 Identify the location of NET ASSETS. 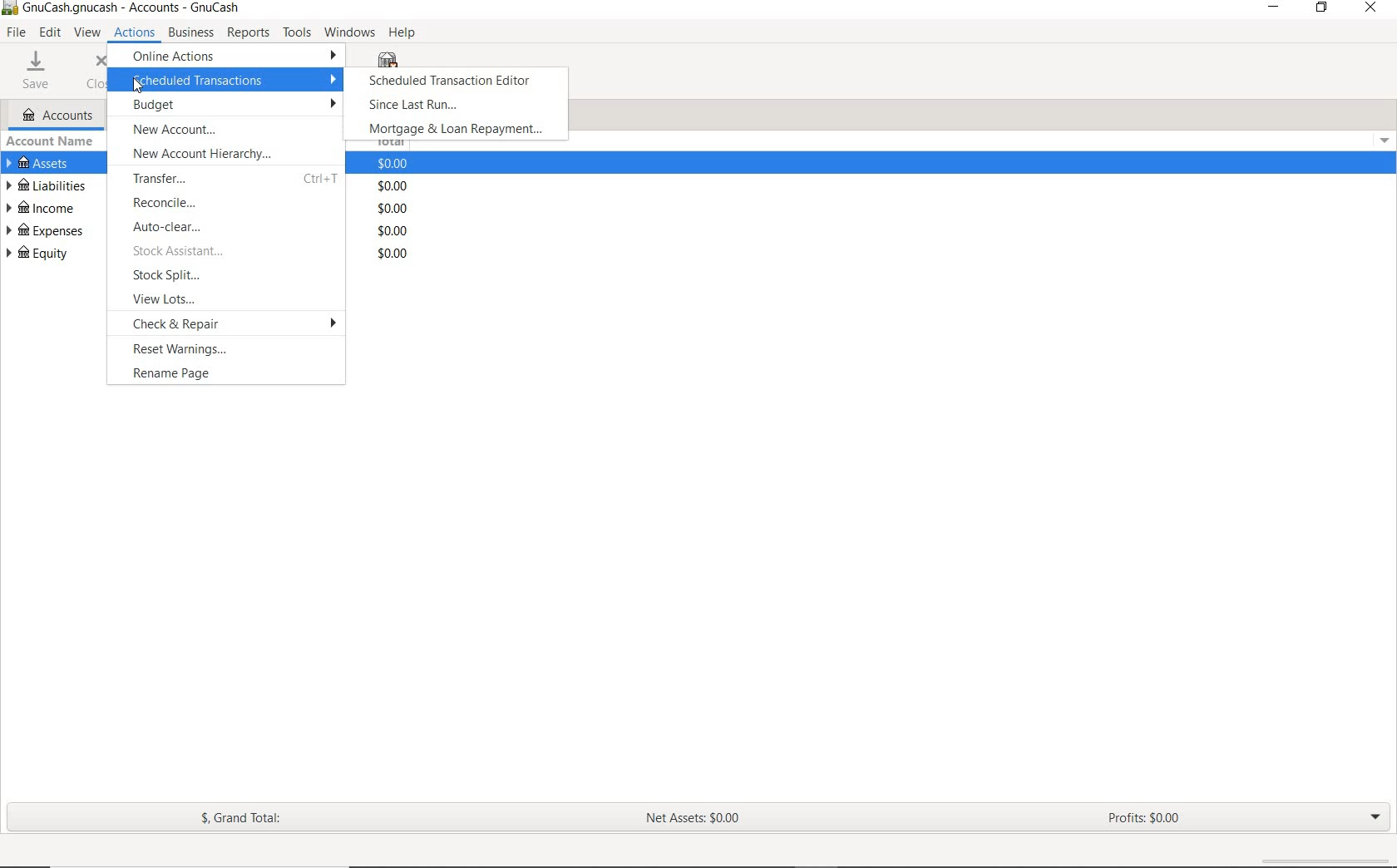
(696, 821).